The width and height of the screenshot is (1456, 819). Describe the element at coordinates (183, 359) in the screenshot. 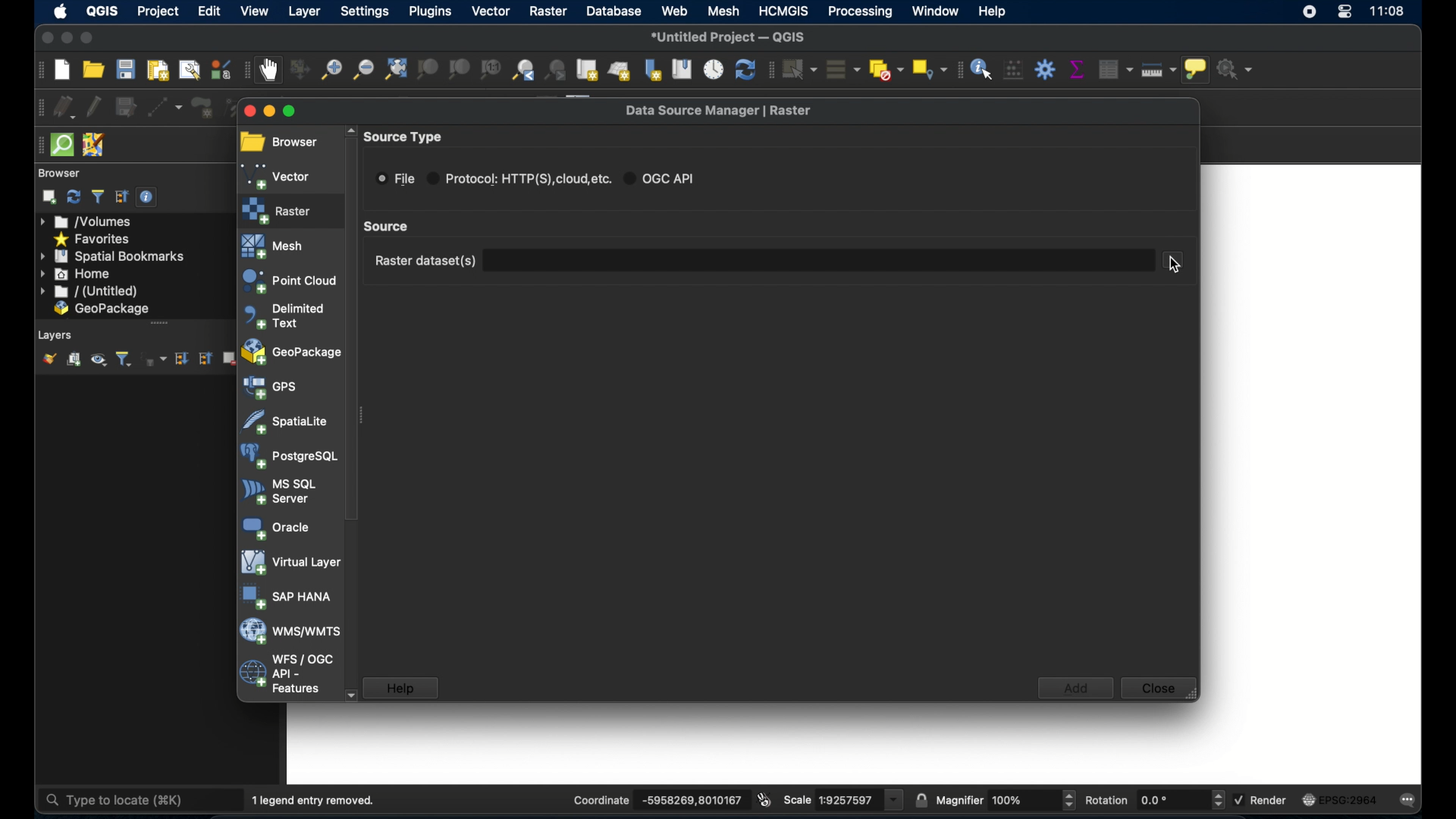

I see `expand all` at that location.